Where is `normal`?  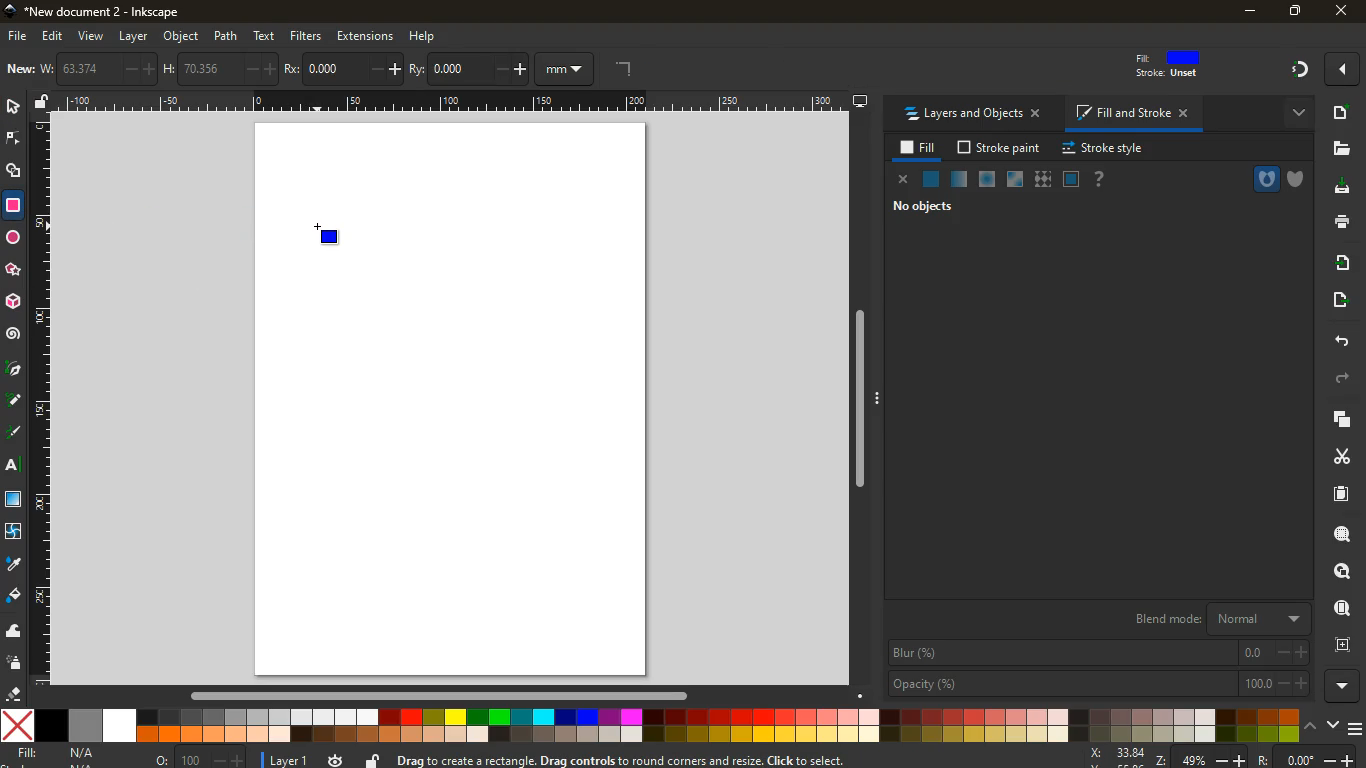 normal is located at coordinates (930, 179).